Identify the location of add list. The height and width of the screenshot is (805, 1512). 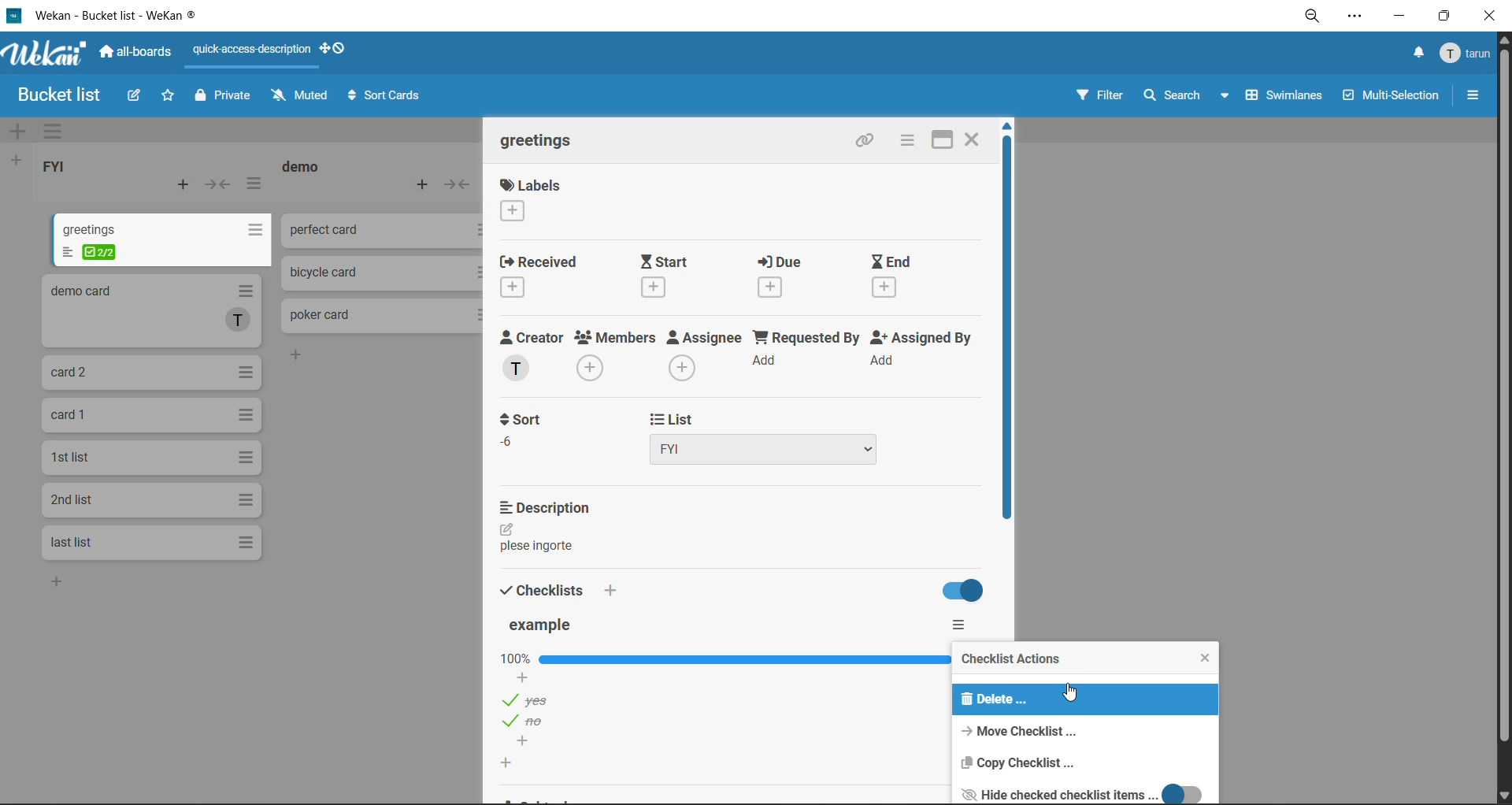
(14, 161).